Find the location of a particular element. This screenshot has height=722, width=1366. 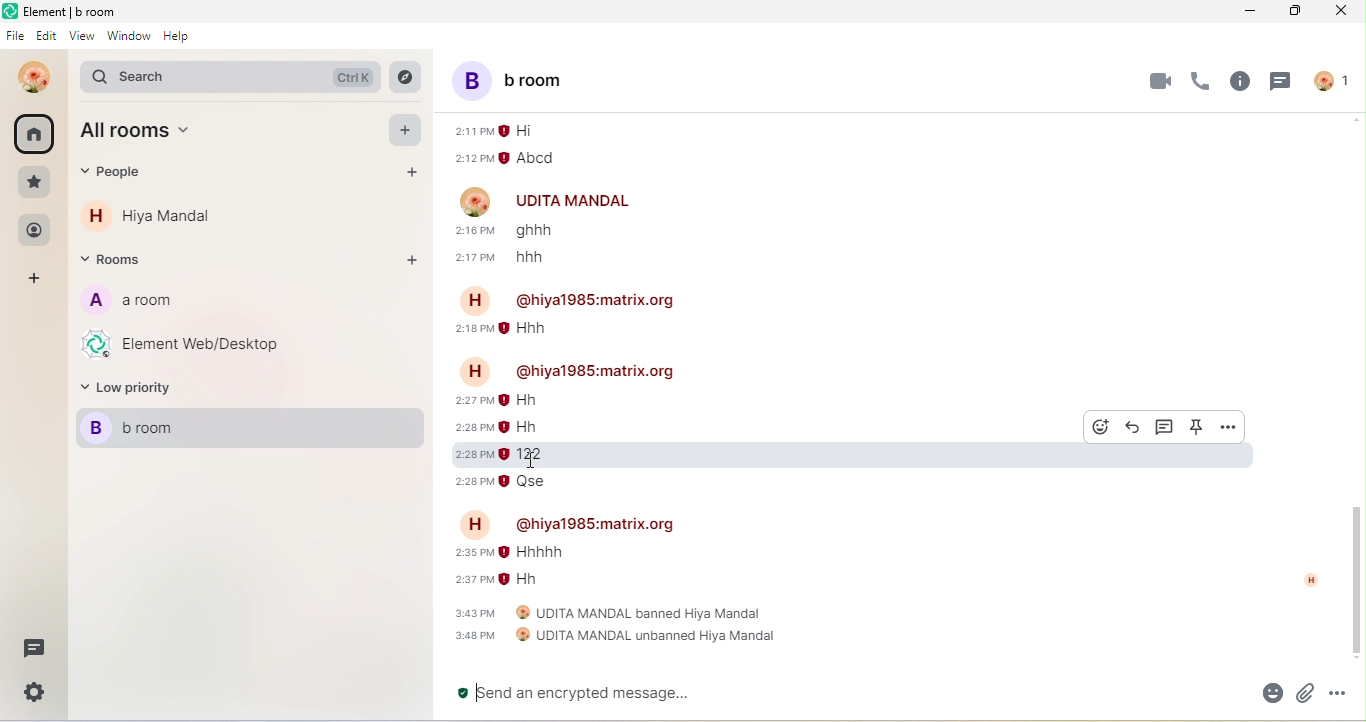

info is located at coordinates (1238, 85).